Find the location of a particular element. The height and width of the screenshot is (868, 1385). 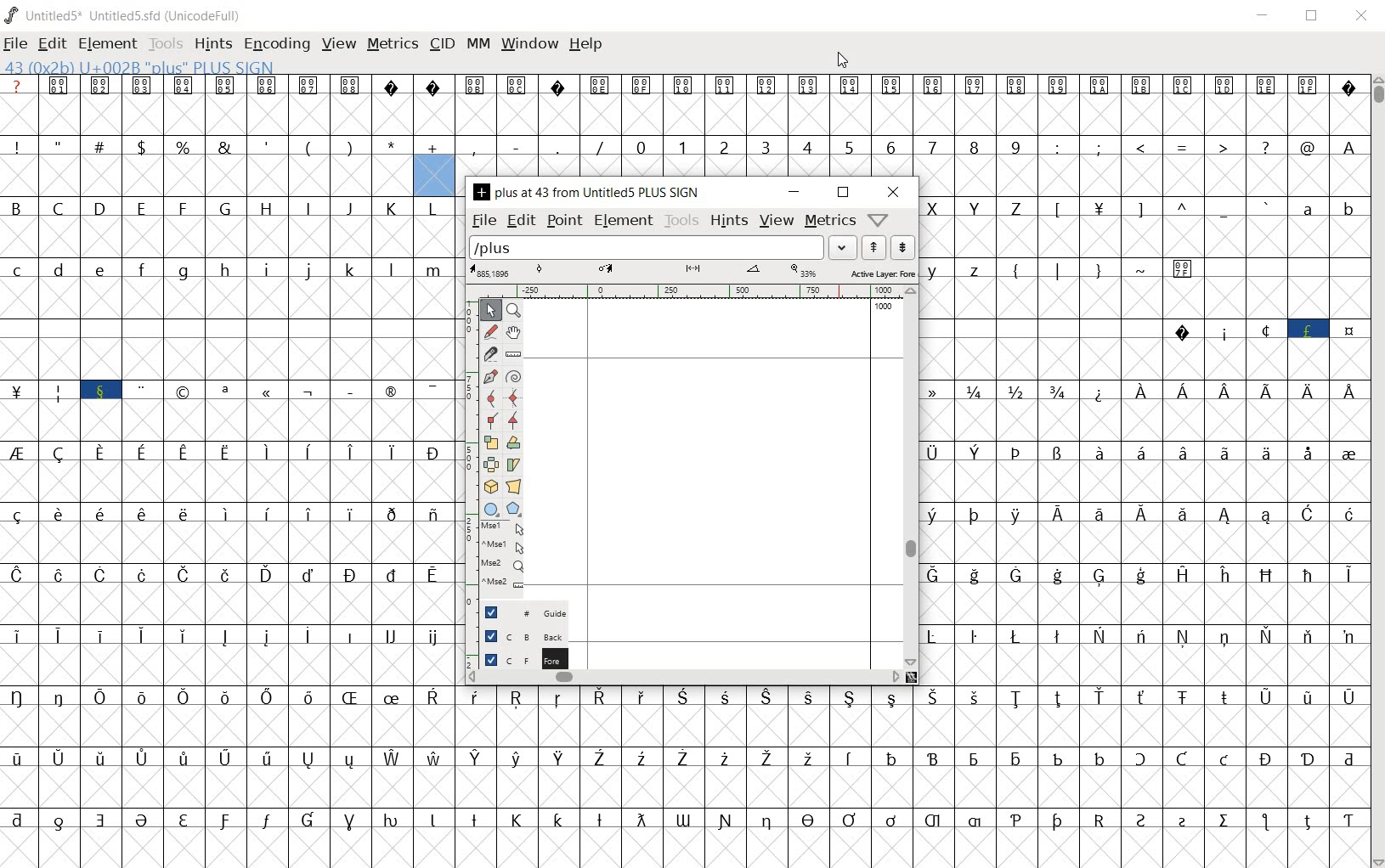

 is located at coordinates (1144, 657).